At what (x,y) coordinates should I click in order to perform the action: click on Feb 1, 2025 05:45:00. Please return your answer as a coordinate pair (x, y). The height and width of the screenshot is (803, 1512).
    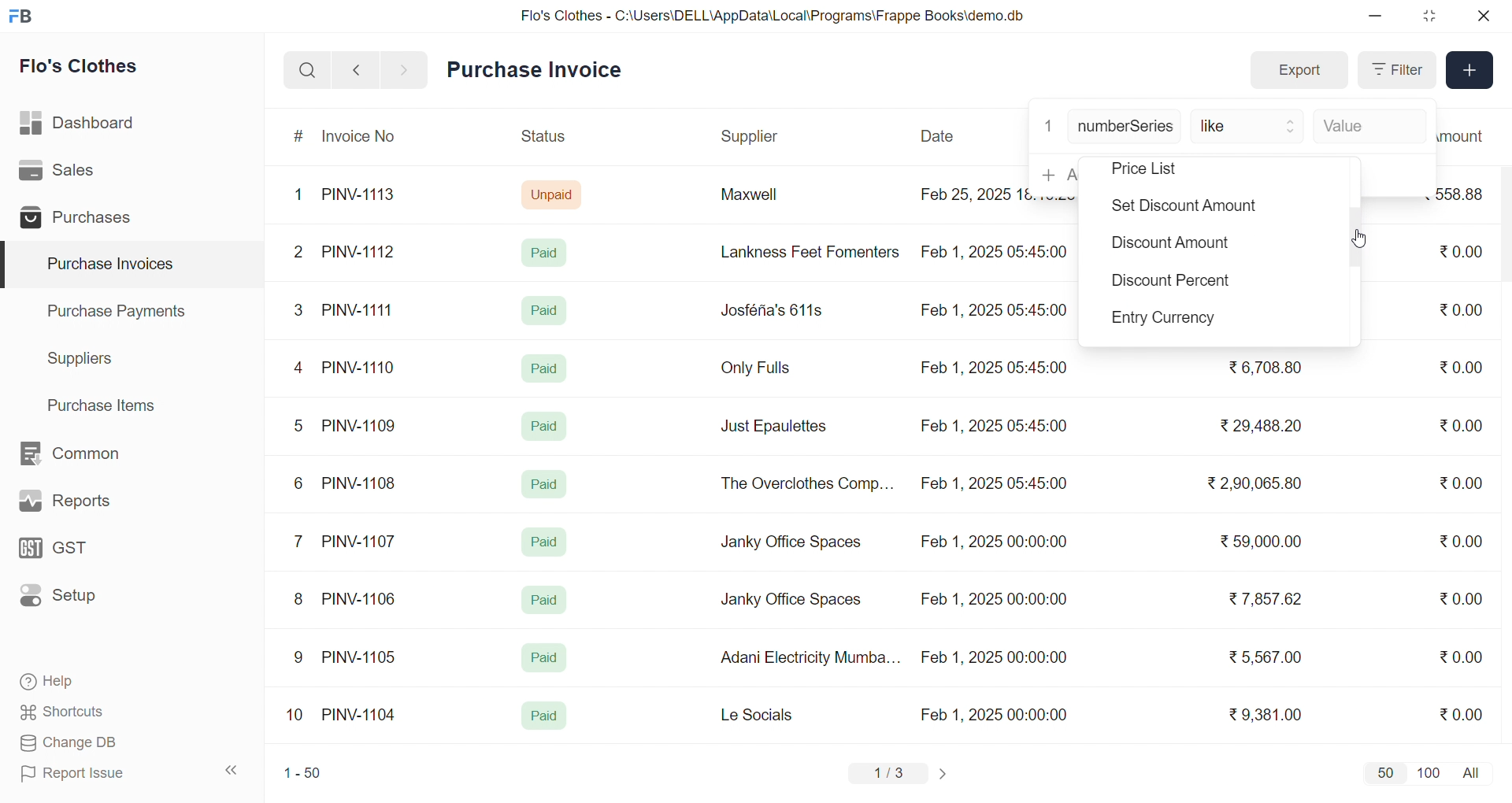
    Looking at the image, I should click on (998, 250).